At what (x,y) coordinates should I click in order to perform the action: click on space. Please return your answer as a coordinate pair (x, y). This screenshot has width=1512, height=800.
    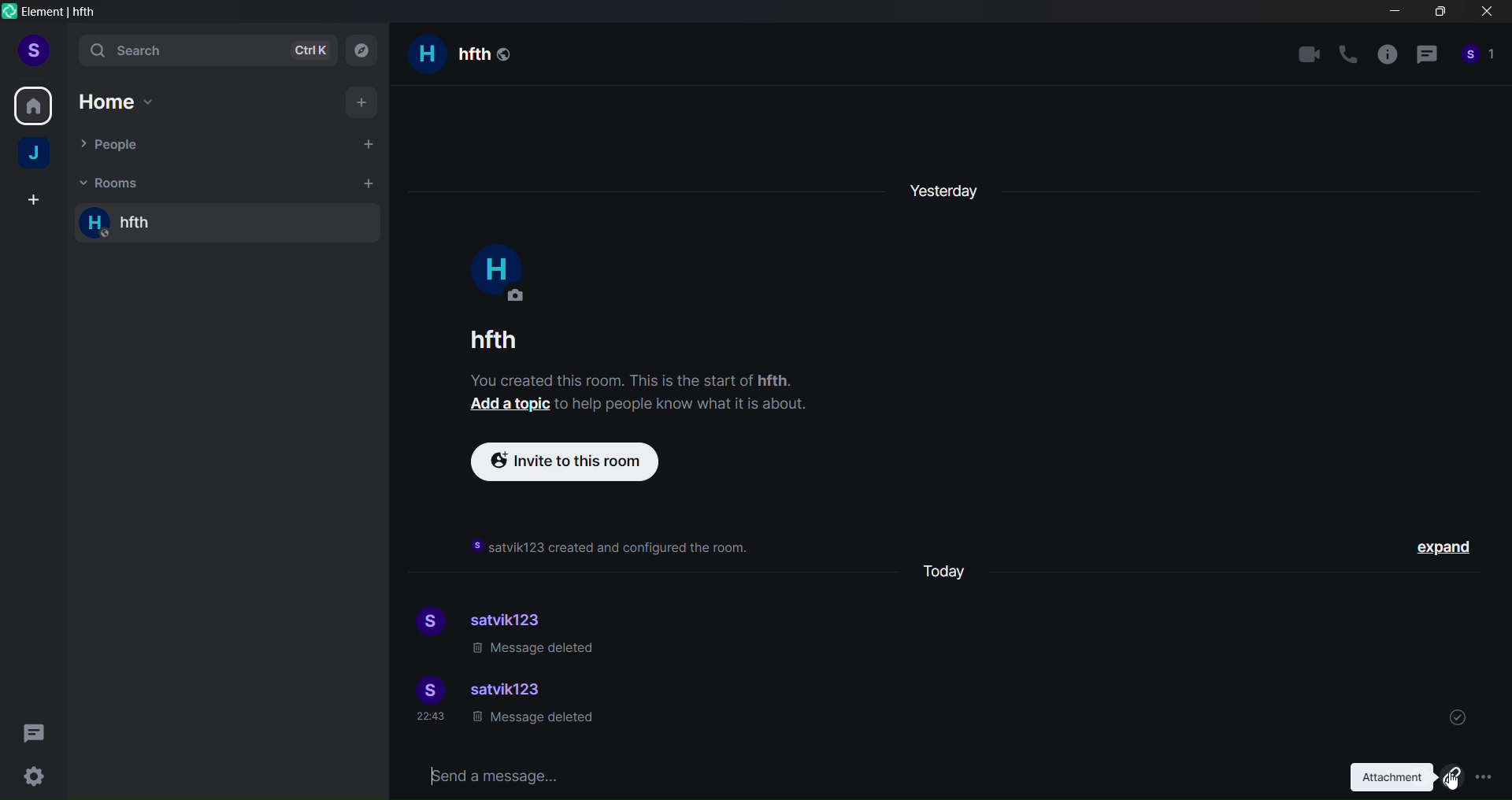
    Looking at the image, I should click on (36, 155).